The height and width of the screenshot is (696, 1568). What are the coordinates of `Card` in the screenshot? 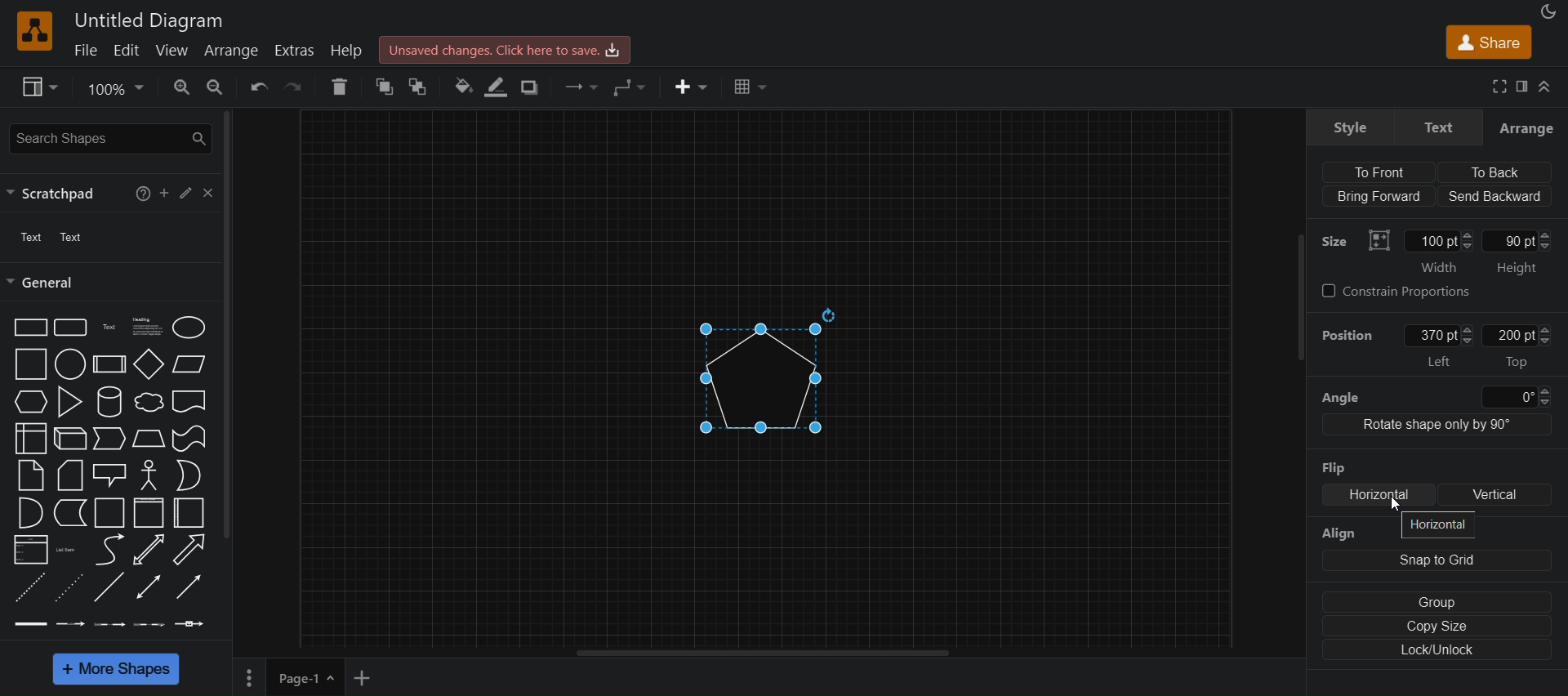 It's located at (70, 475).